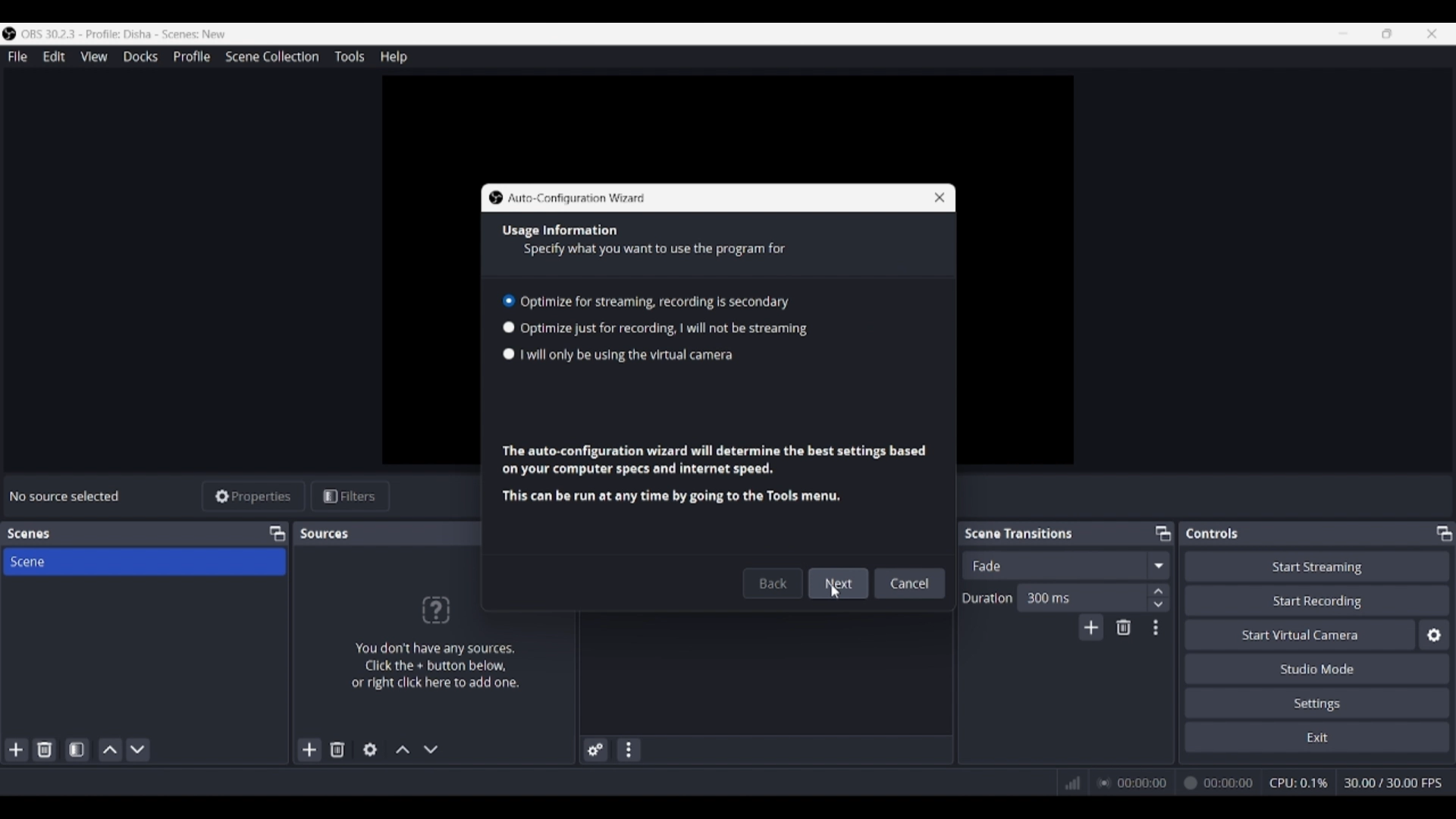 This screenshot has height=819, width=1456. Describe the element at coordinates (137, 750) in the screenshot. I see `Move scene down` at that location.